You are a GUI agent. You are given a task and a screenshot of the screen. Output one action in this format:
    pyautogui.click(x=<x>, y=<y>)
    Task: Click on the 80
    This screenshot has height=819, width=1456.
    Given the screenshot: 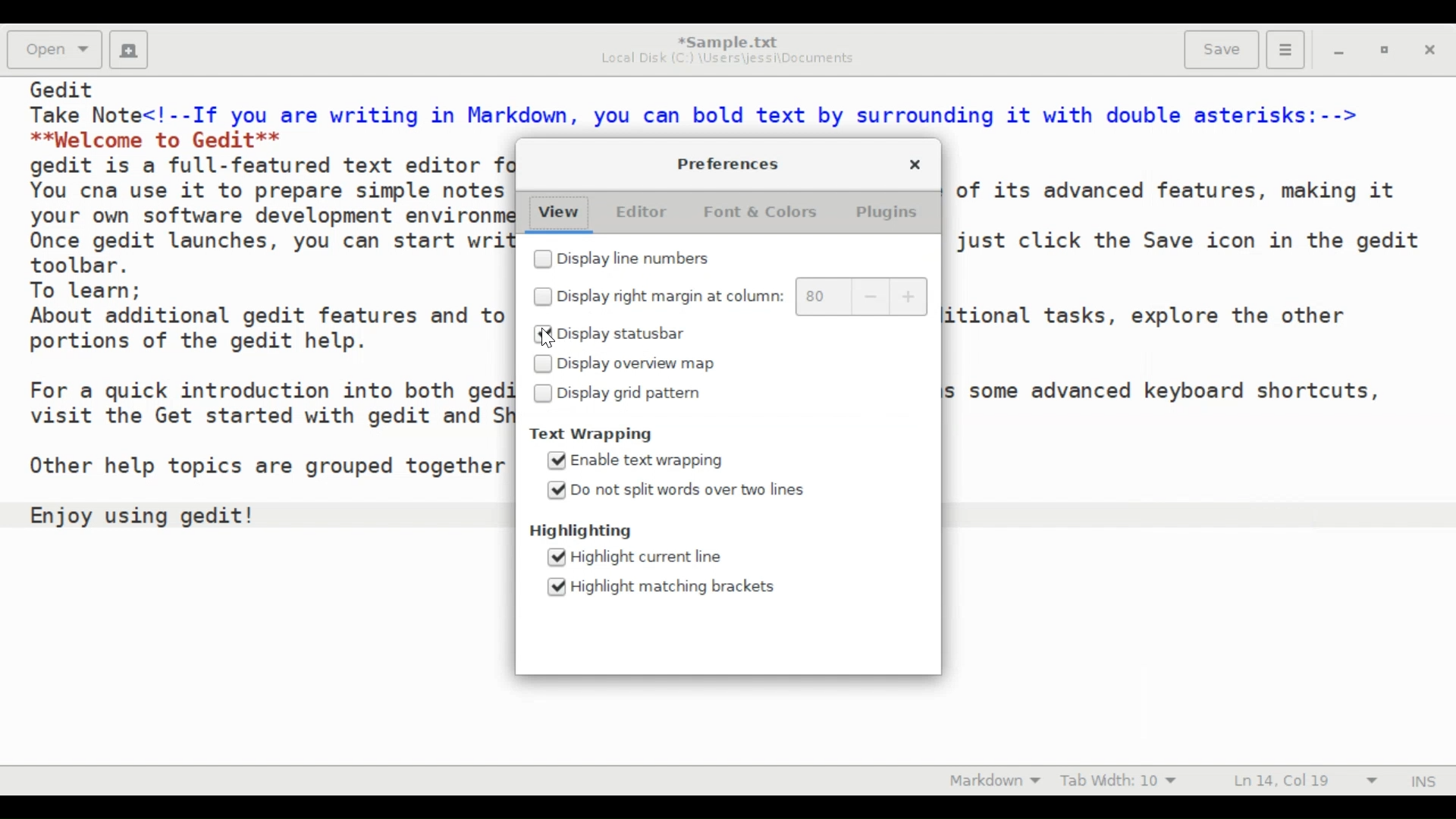 What is the action you would take?
    pyautogui.click(x=822, y=296)
    